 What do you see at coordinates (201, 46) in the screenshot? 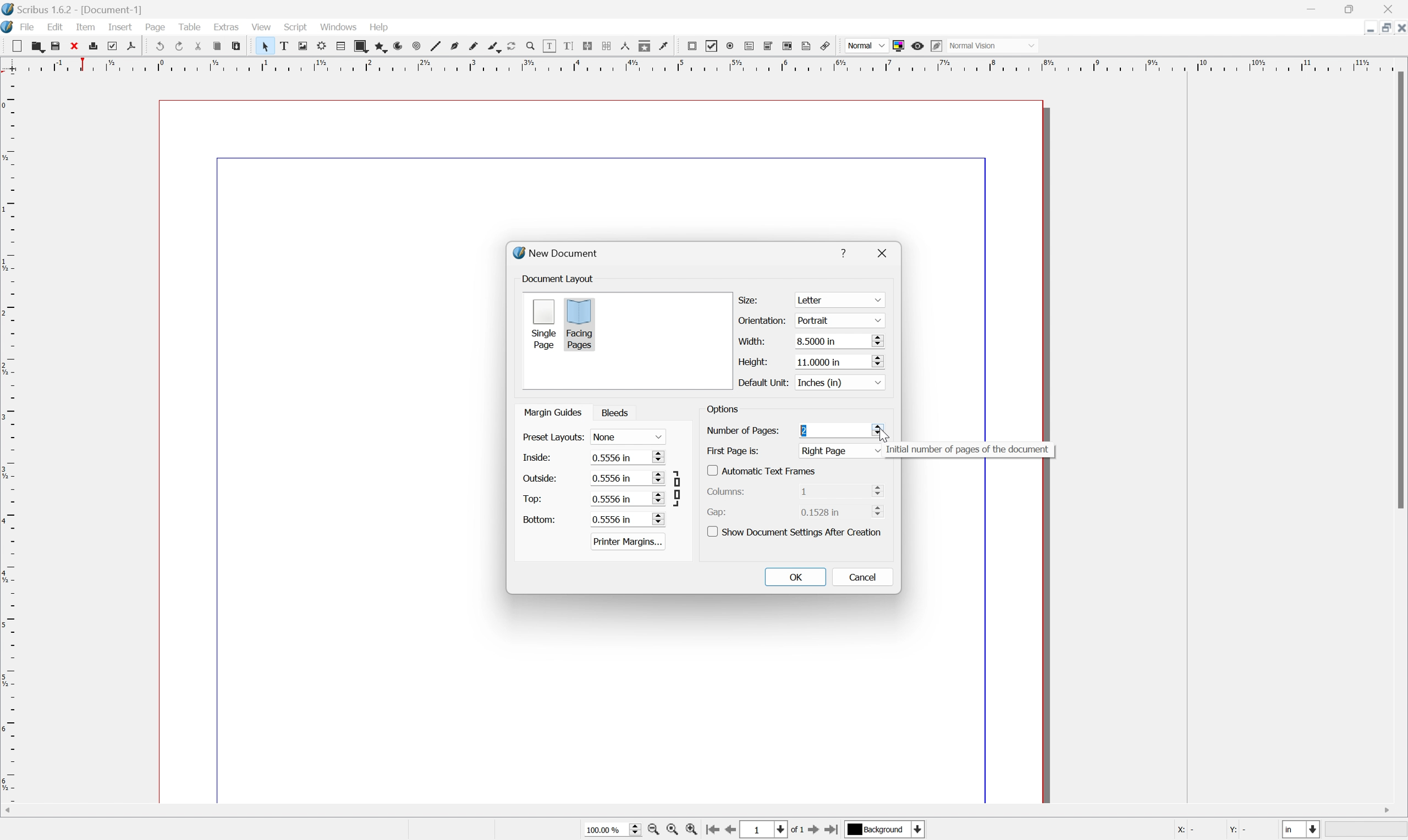
I see `Cut` at bounding box center [201, 46].